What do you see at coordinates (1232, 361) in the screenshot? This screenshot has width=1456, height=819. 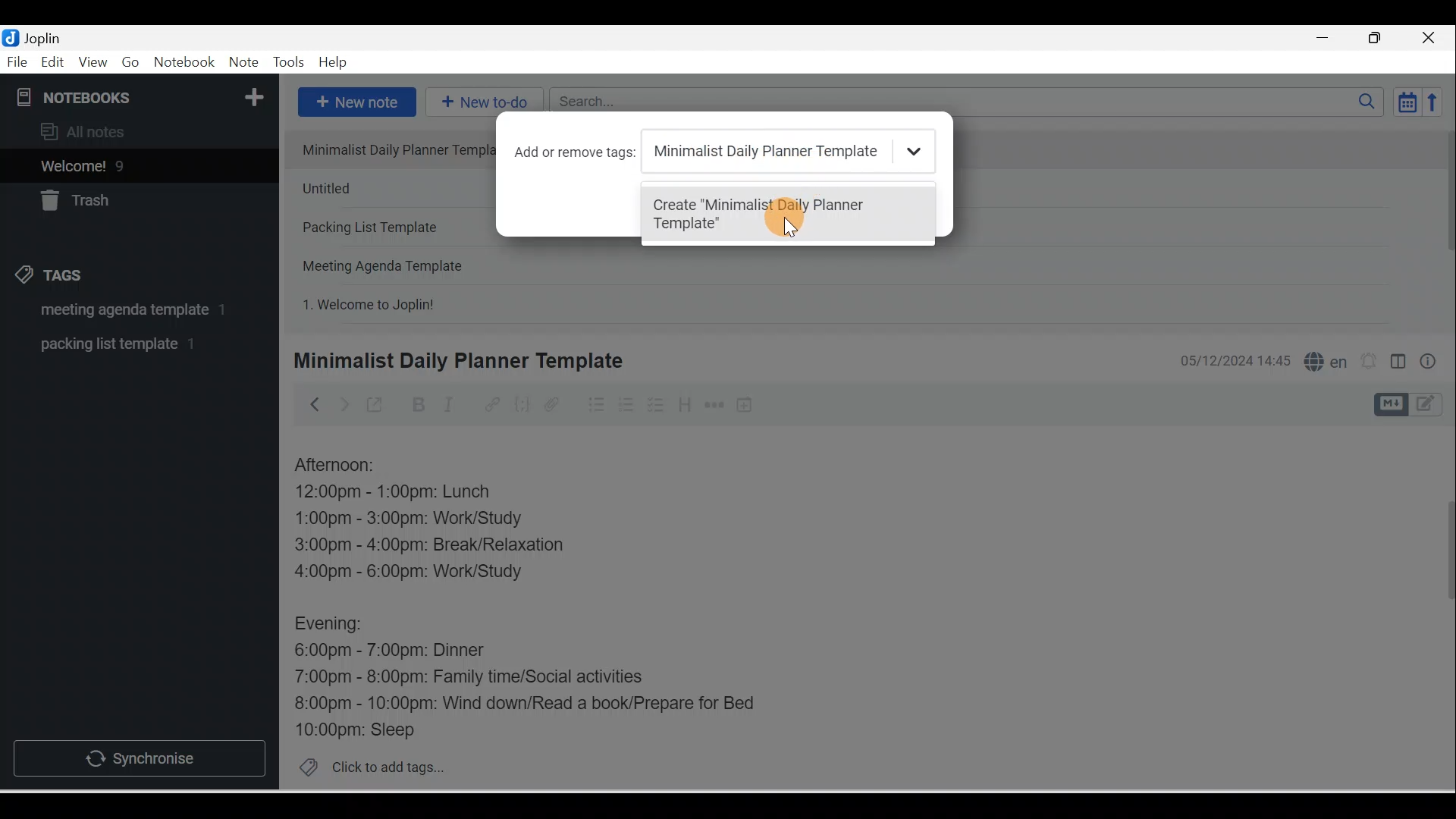 I see `Date & time` at bounding box center [1232, 361].